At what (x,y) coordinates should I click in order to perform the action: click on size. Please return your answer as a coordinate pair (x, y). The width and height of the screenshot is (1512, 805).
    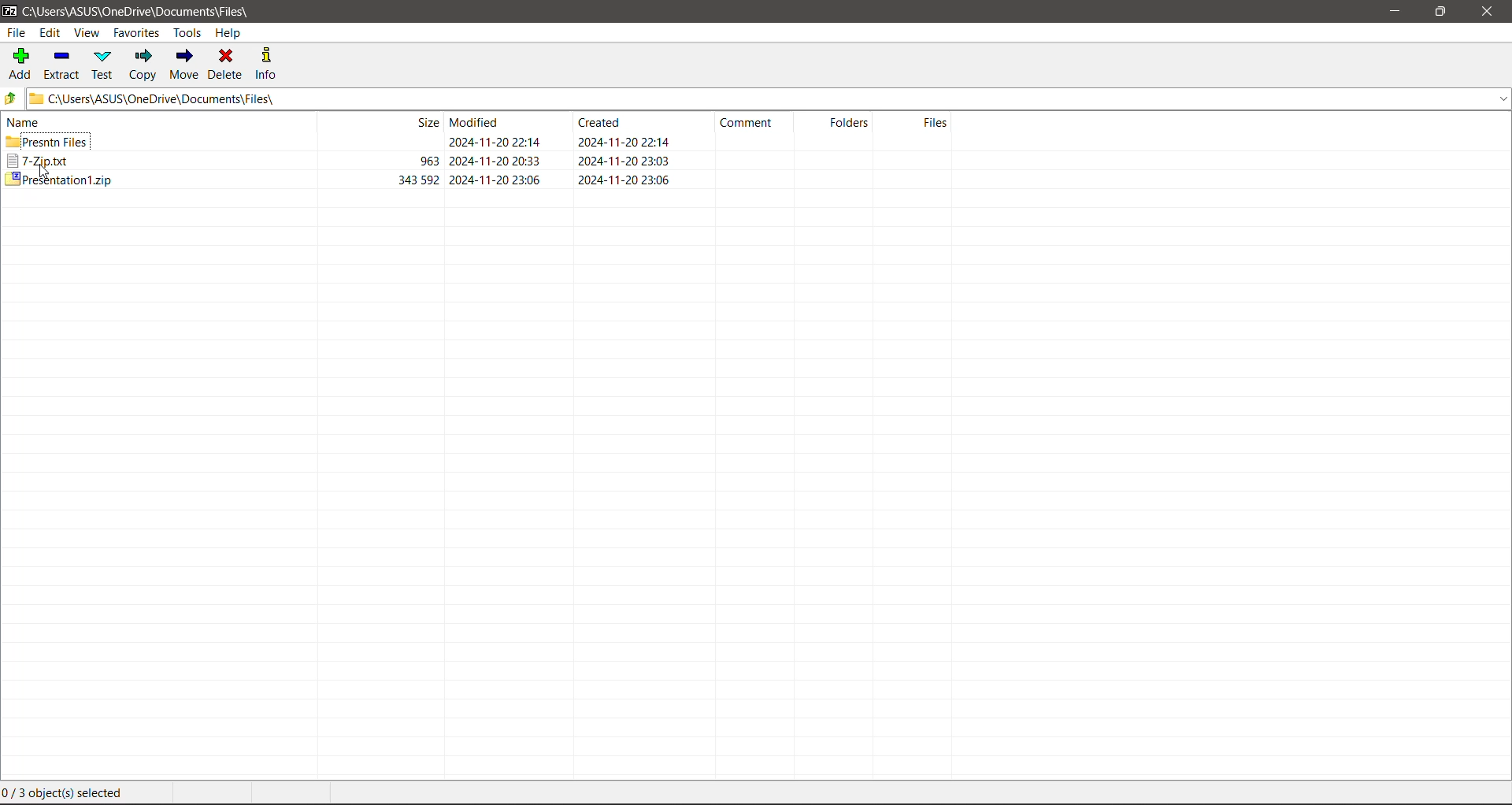
    Looking at the image, I should click on (415, 154).